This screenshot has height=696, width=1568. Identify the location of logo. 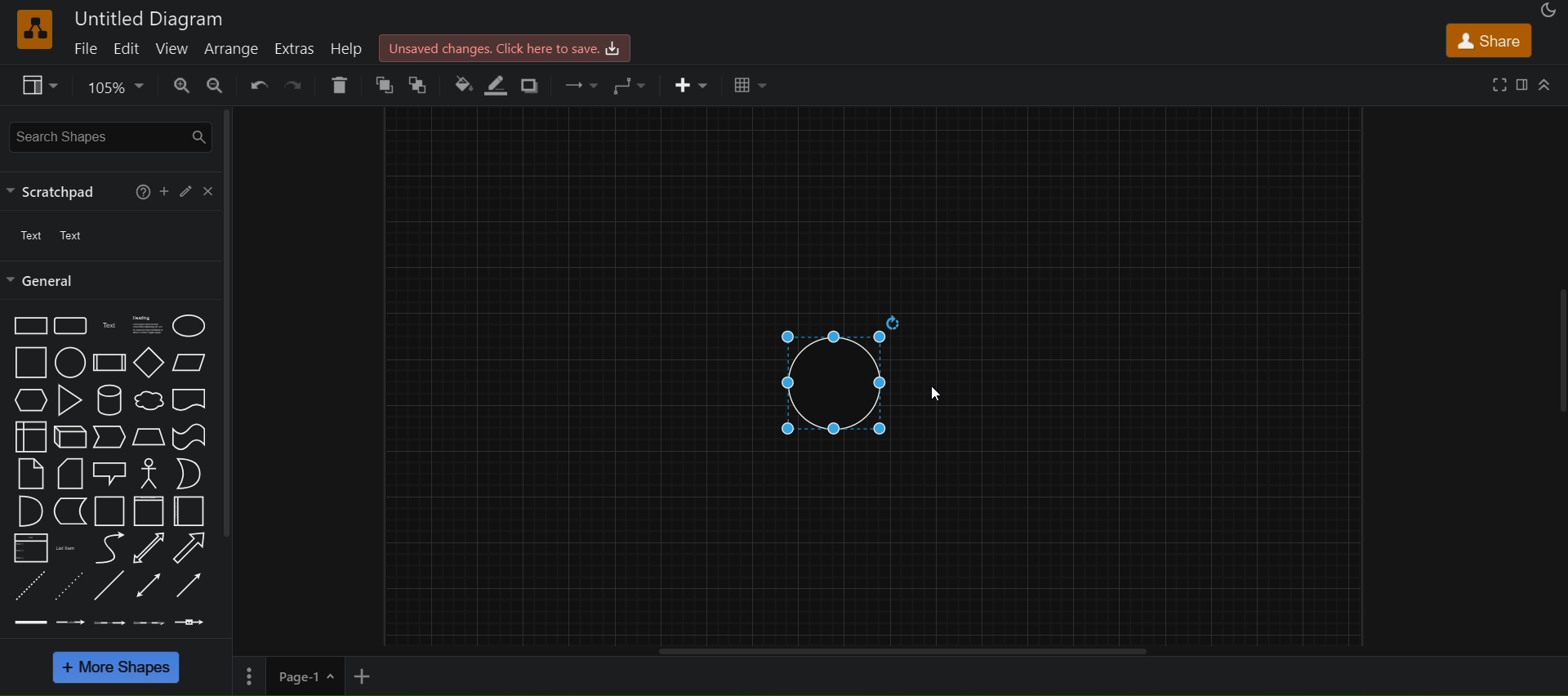
(33, 30).